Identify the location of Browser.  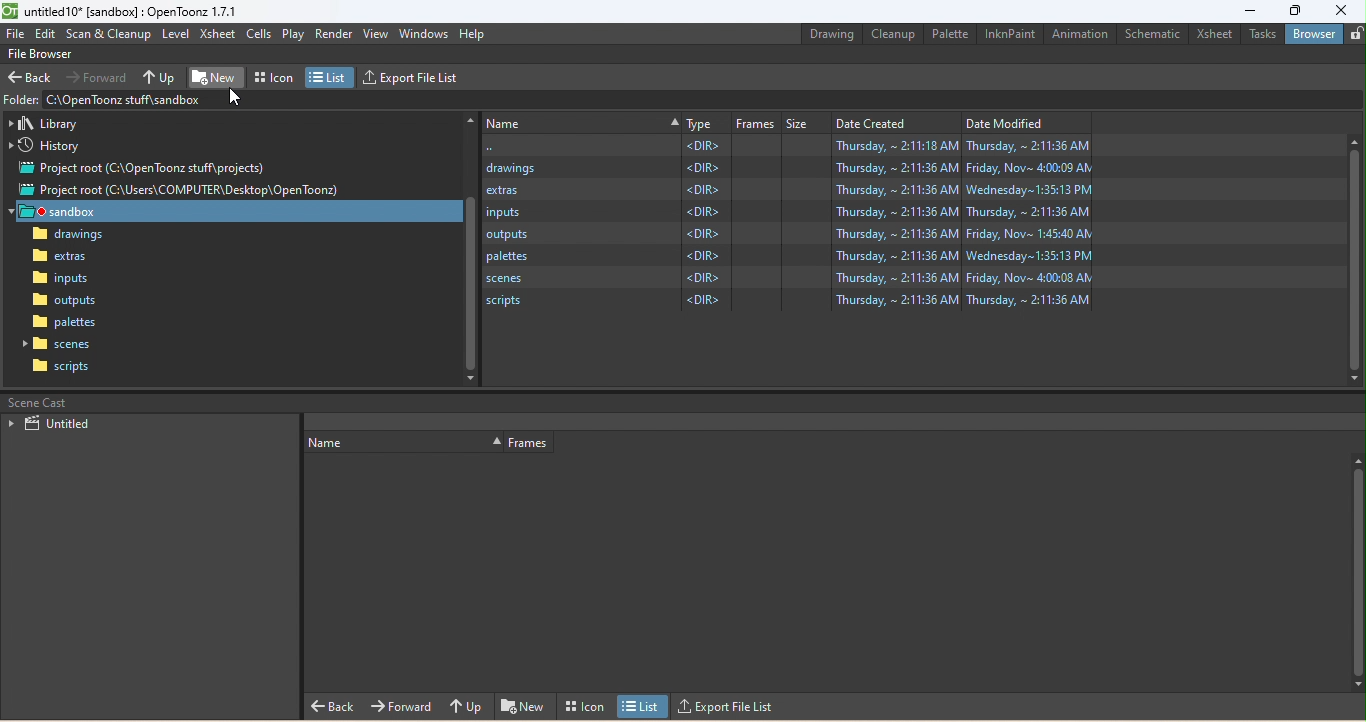
(1315, 31).